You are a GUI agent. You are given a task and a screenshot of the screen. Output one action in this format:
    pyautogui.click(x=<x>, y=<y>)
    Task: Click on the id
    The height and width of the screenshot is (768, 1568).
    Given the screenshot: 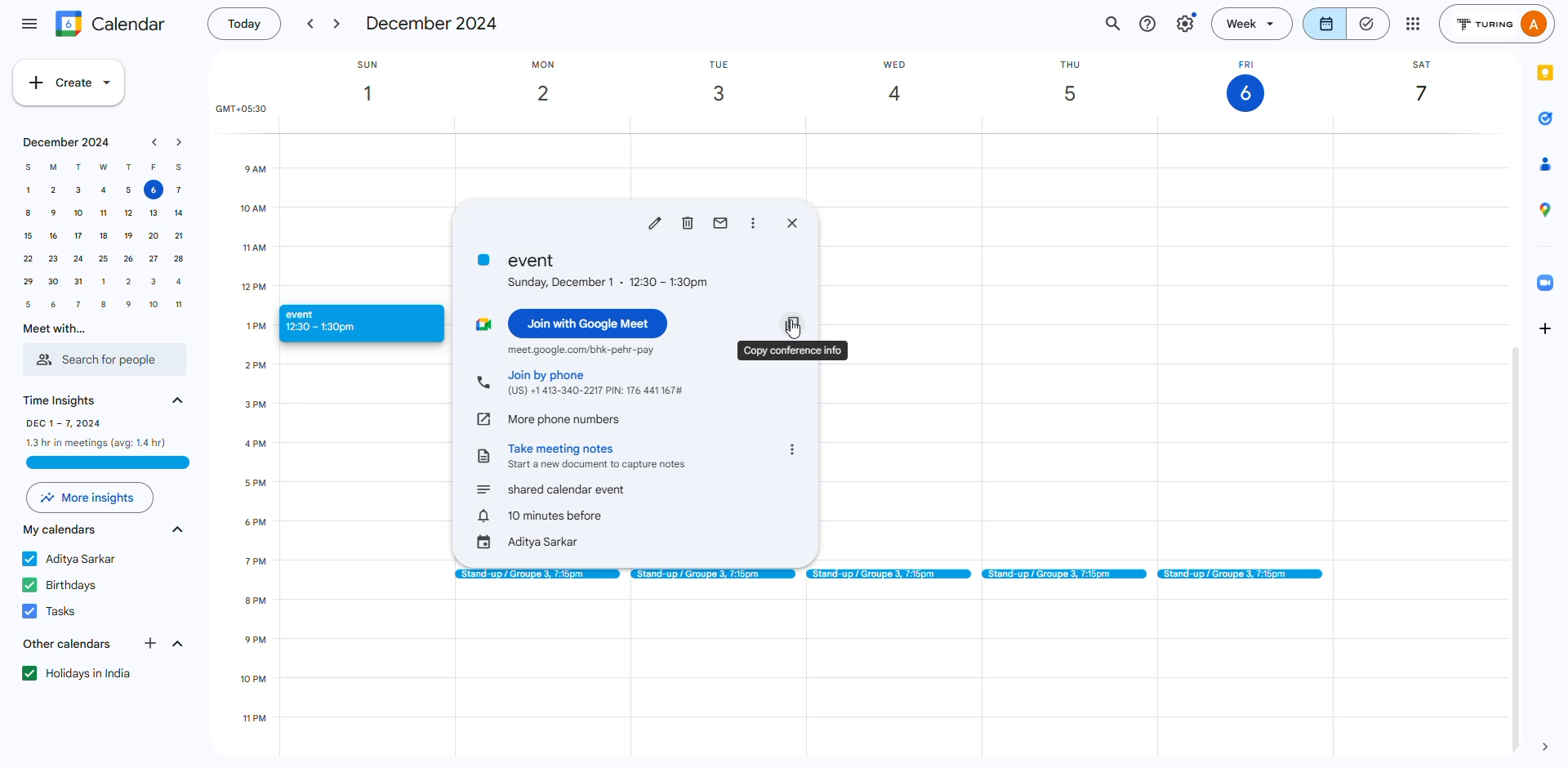 What is the action you would take?
    pyautogui.click(x=529, y=543)
    